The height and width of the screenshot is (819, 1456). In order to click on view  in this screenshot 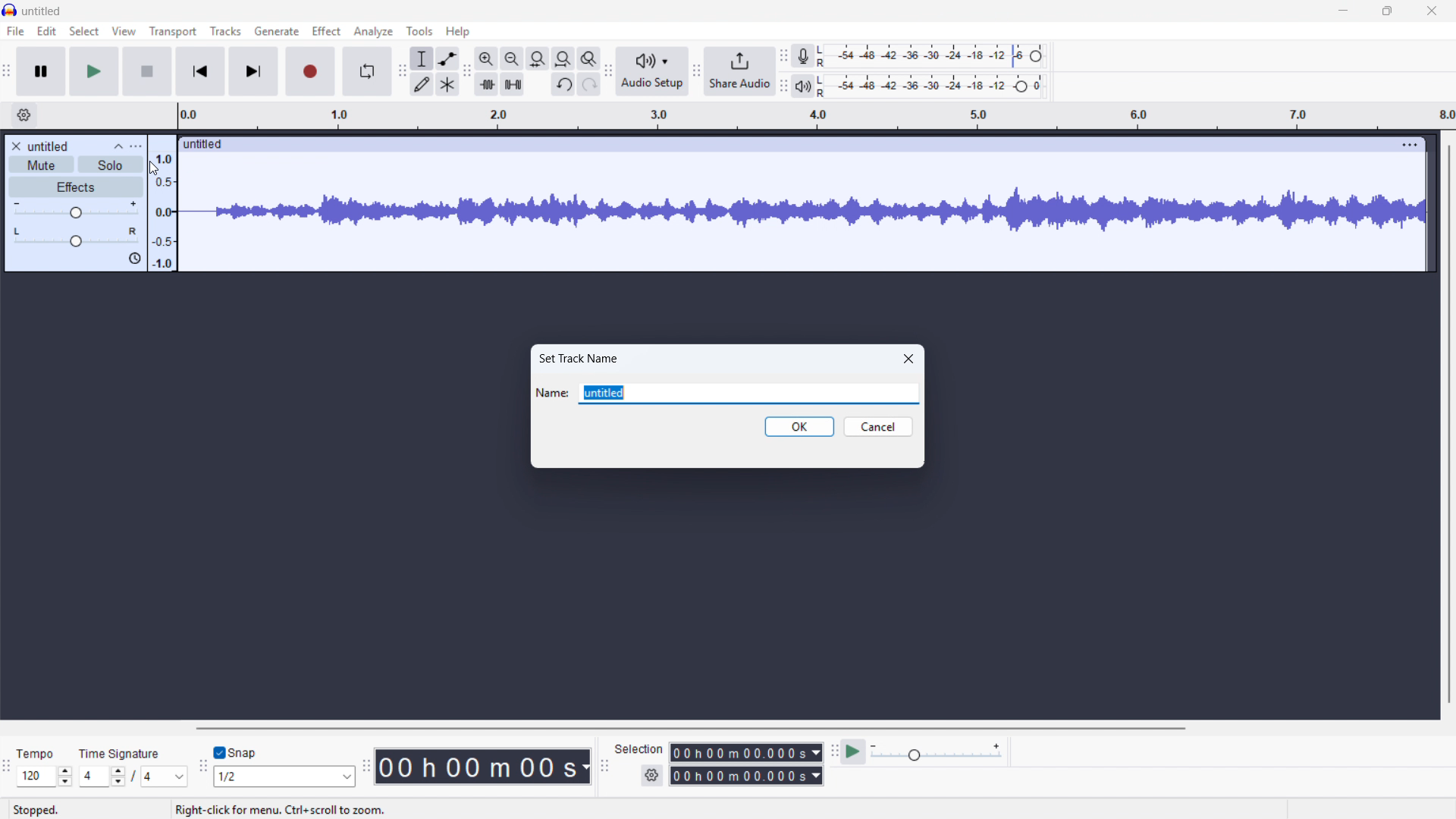, I will do `click(124, 31)`.